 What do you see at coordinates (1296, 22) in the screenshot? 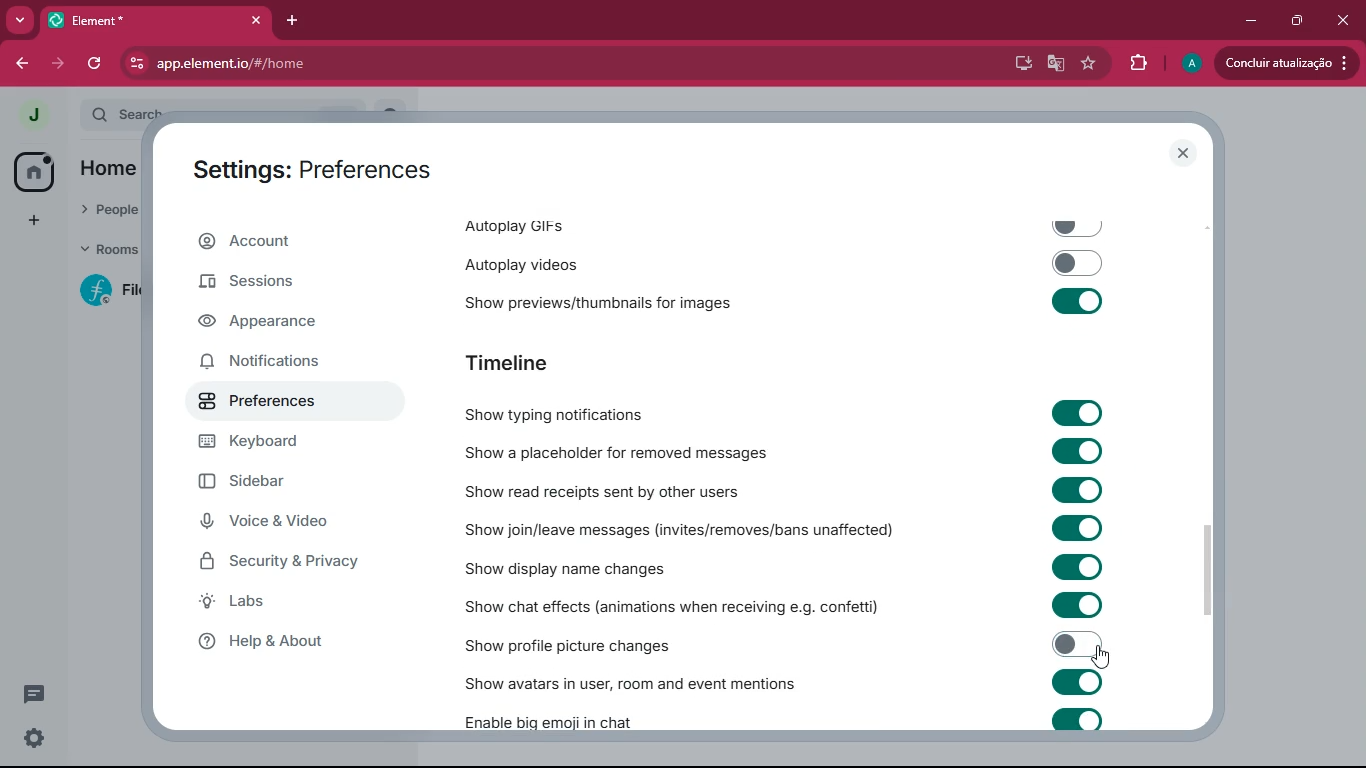
I see `restore down` at bounding box center [1296, 22].